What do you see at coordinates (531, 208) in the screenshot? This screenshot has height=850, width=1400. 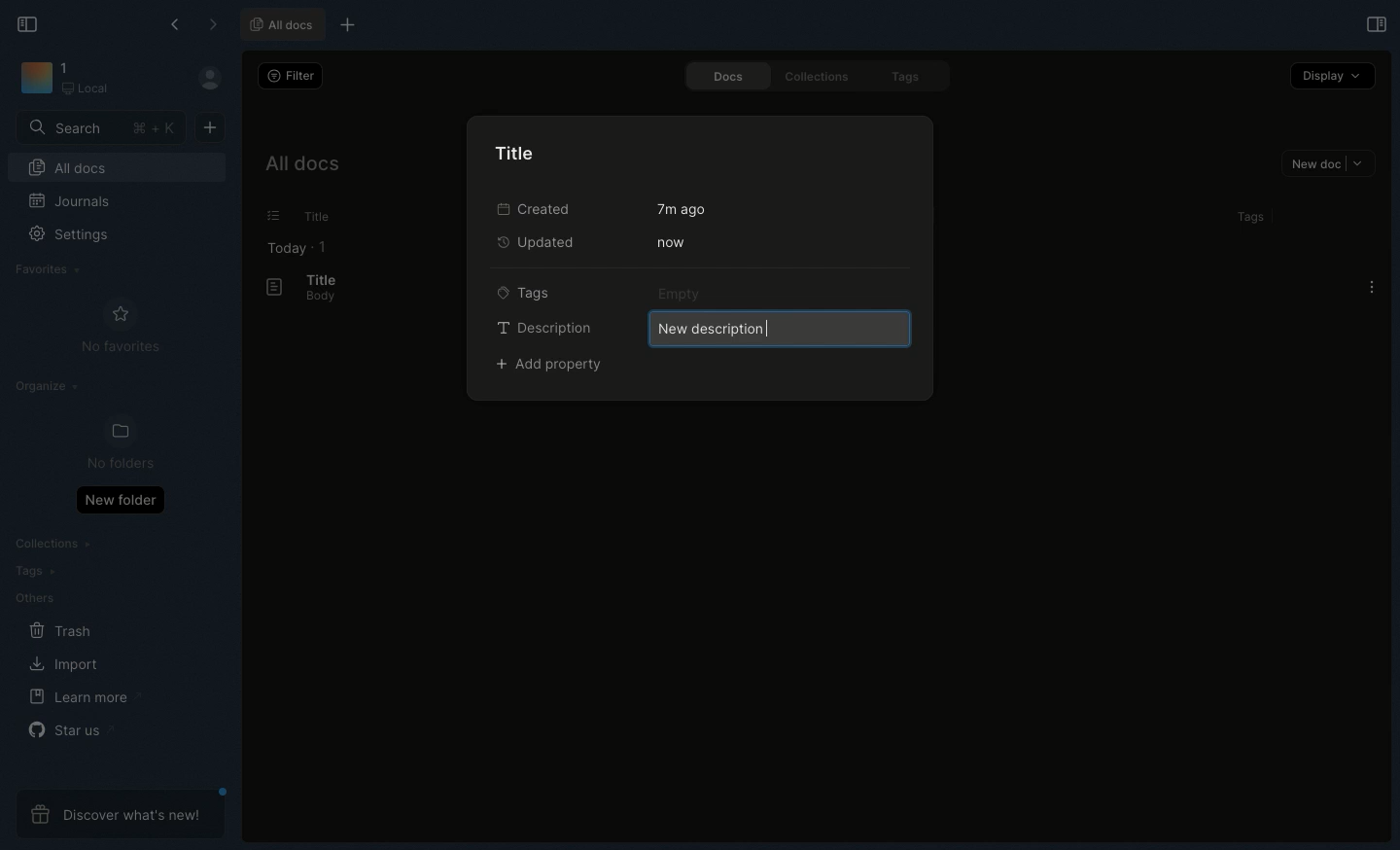 I see `Created` at bounding box center [531, 208].